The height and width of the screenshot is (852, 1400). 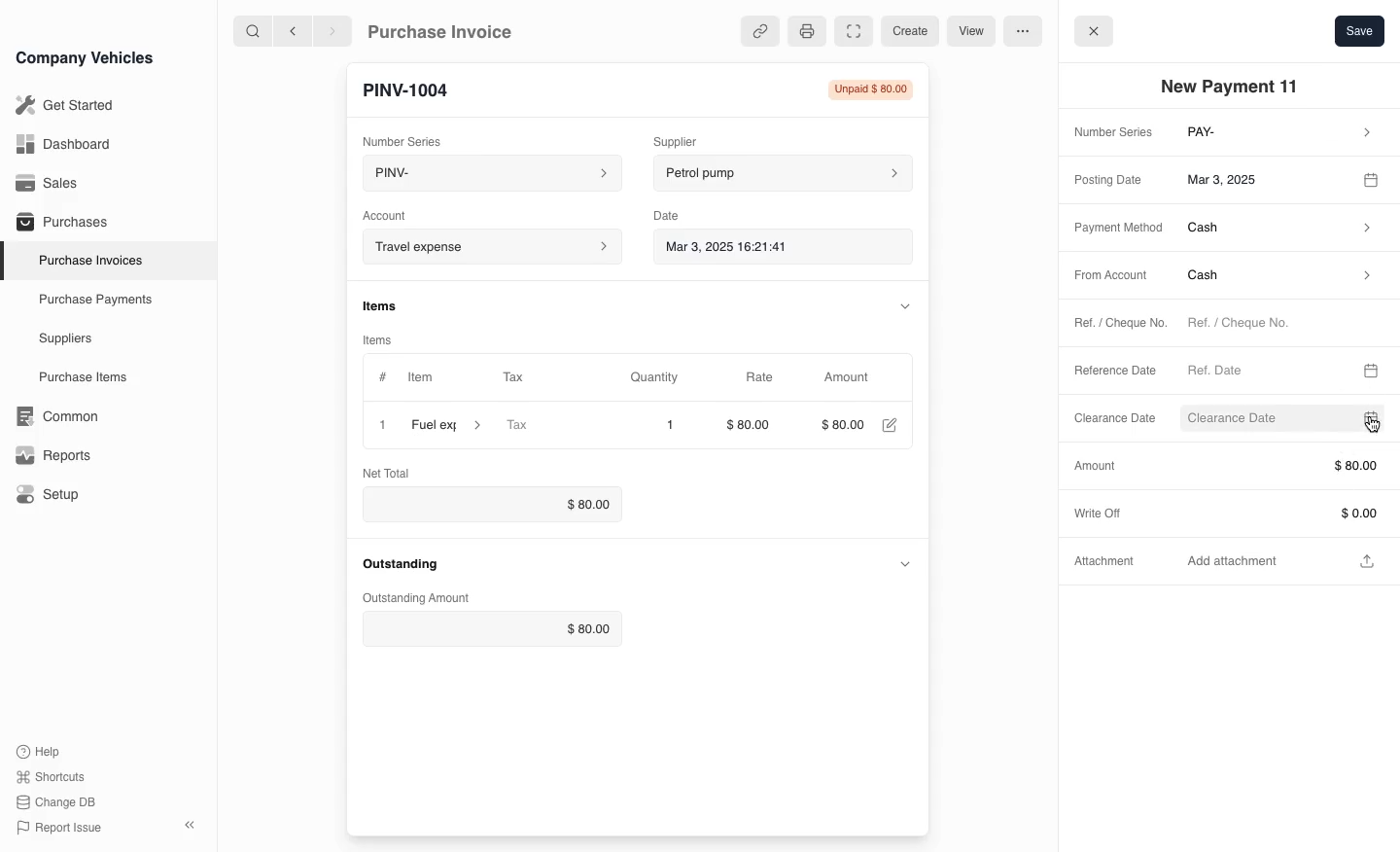 What do you see at coordinates (1108, 420) in the screenshot?
I see `Clearance Date` at bounding box center [1108, 420].